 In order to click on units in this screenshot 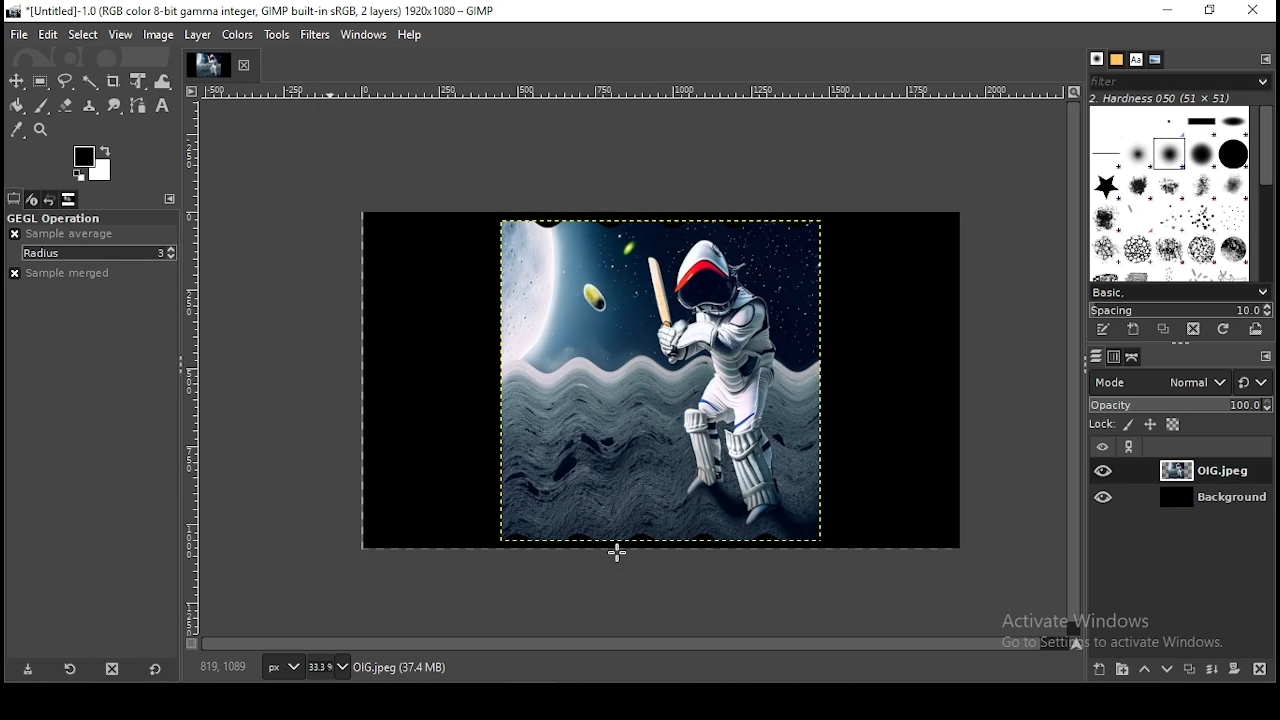, I will do `click(283, 668)`.